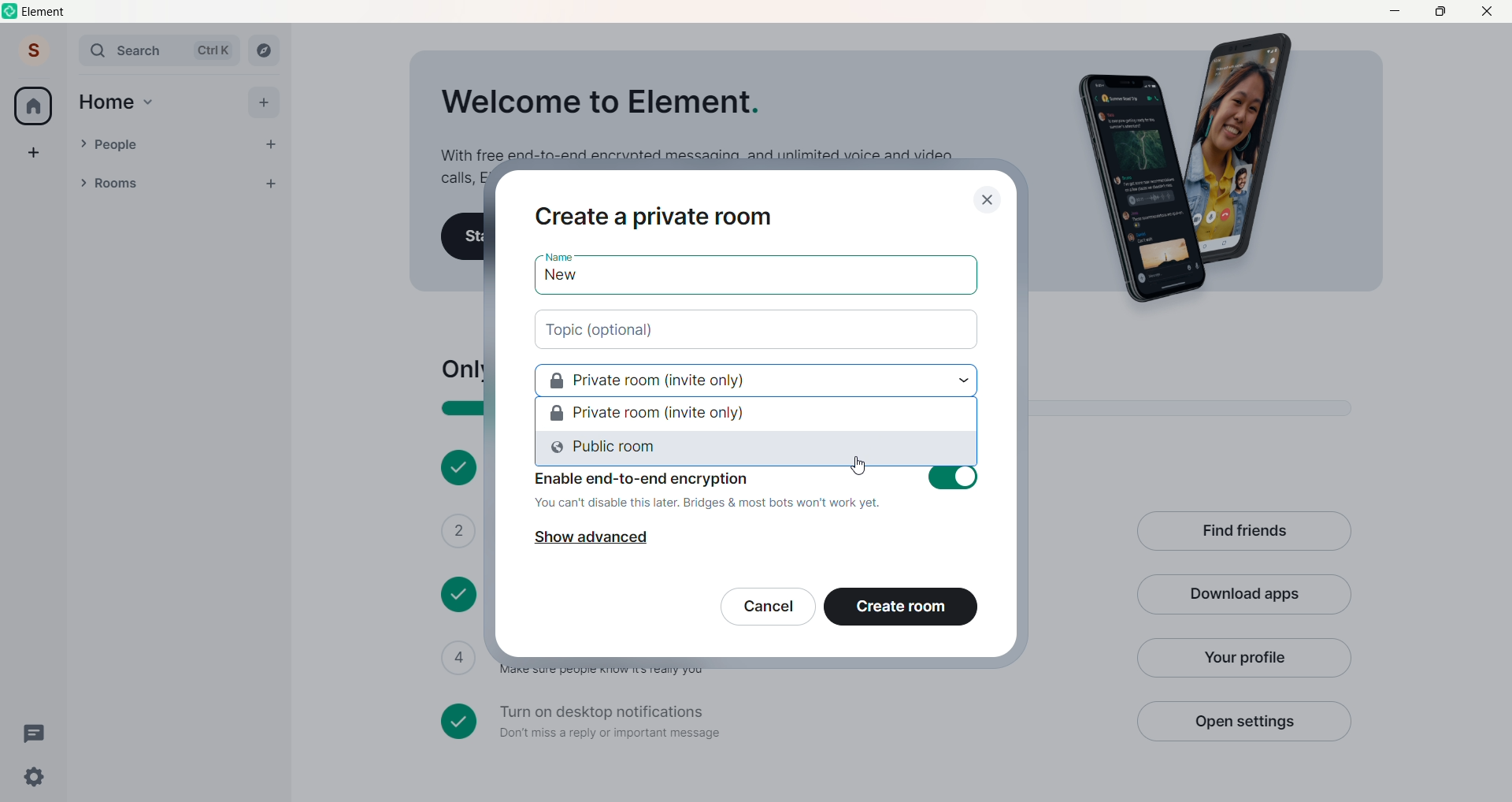  Describe the element at coordinates (1242, 658) in the screenshot. I see `Your Profile` at that location.